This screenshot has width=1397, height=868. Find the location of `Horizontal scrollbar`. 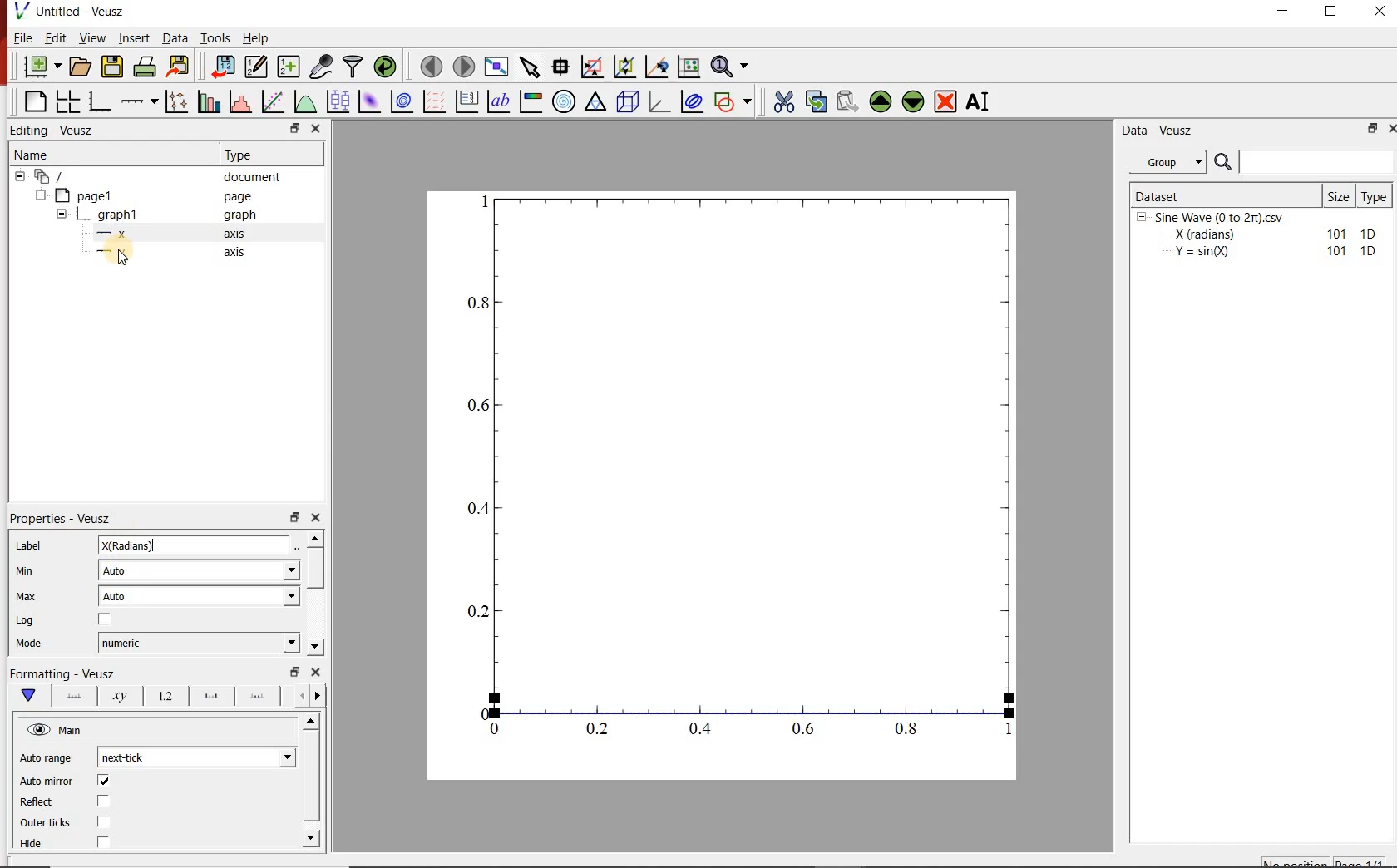

Horizontal scrollbar is located at coordinates (313, 778).